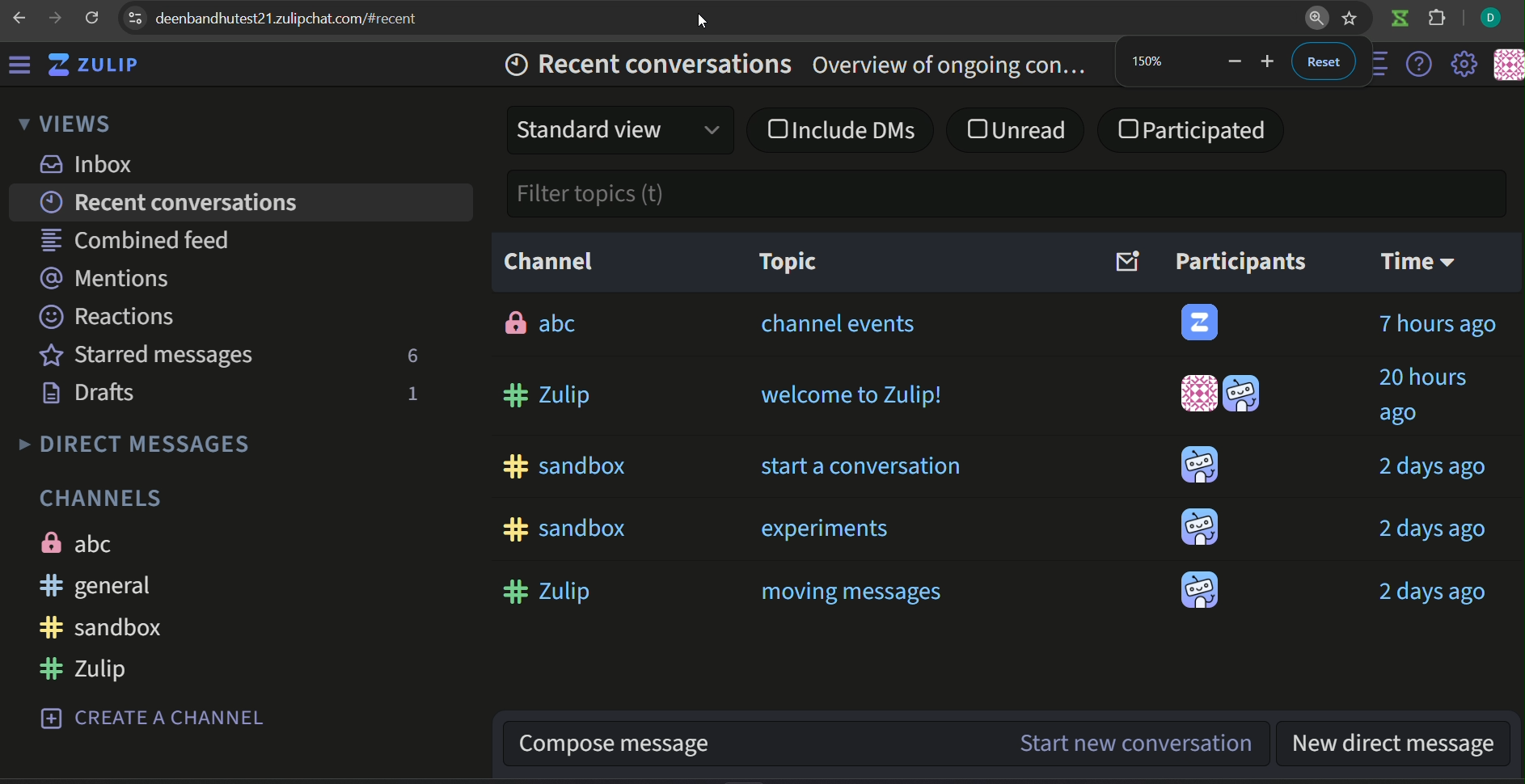 Image resolution: width=1525 pixels, height=784 pixels. Describe the element at coordinates (1417, 259) in the screenshot. I see `time` at that location.